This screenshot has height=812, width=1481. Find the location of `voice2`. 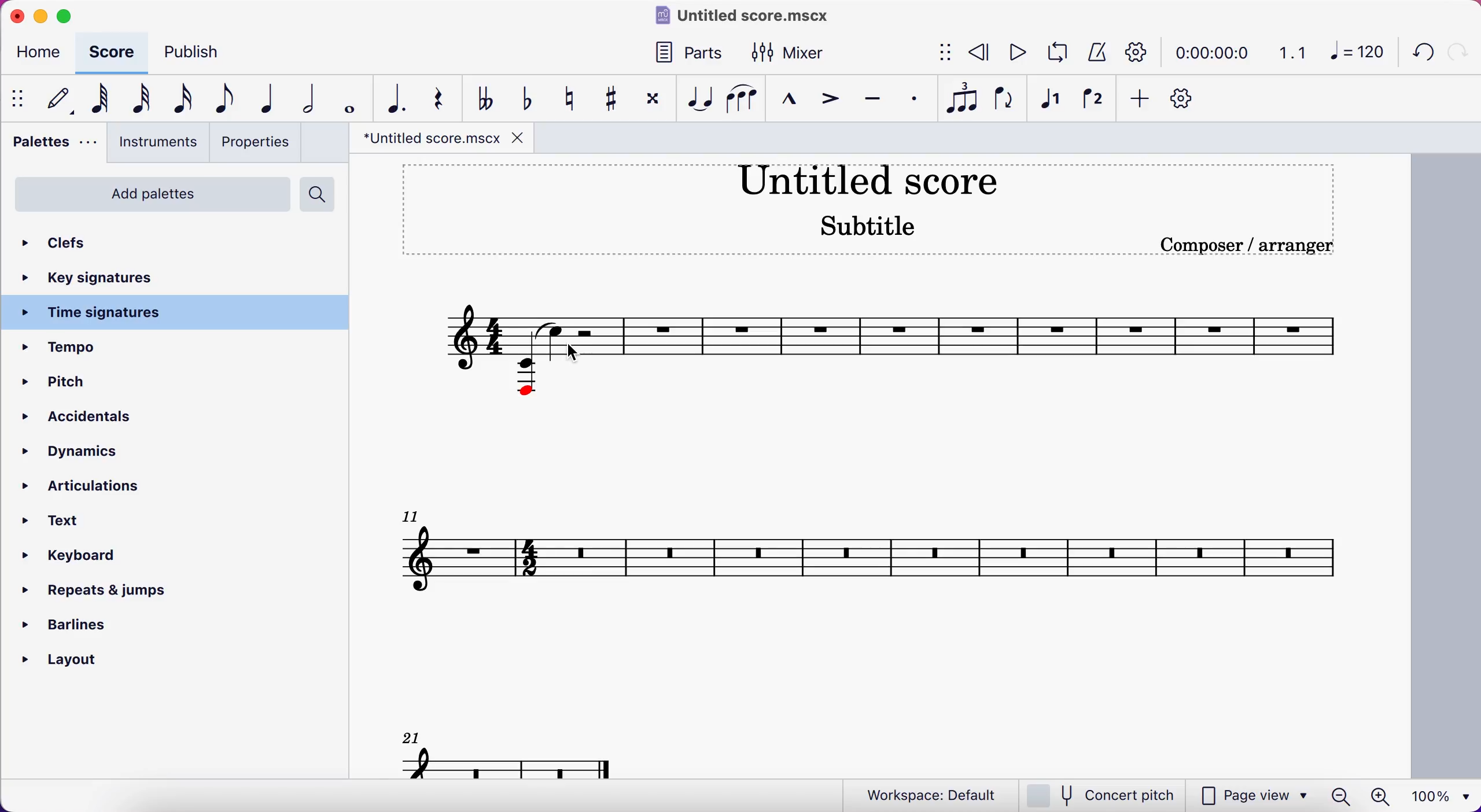

voice2 is located at coordinates (1092, 102).